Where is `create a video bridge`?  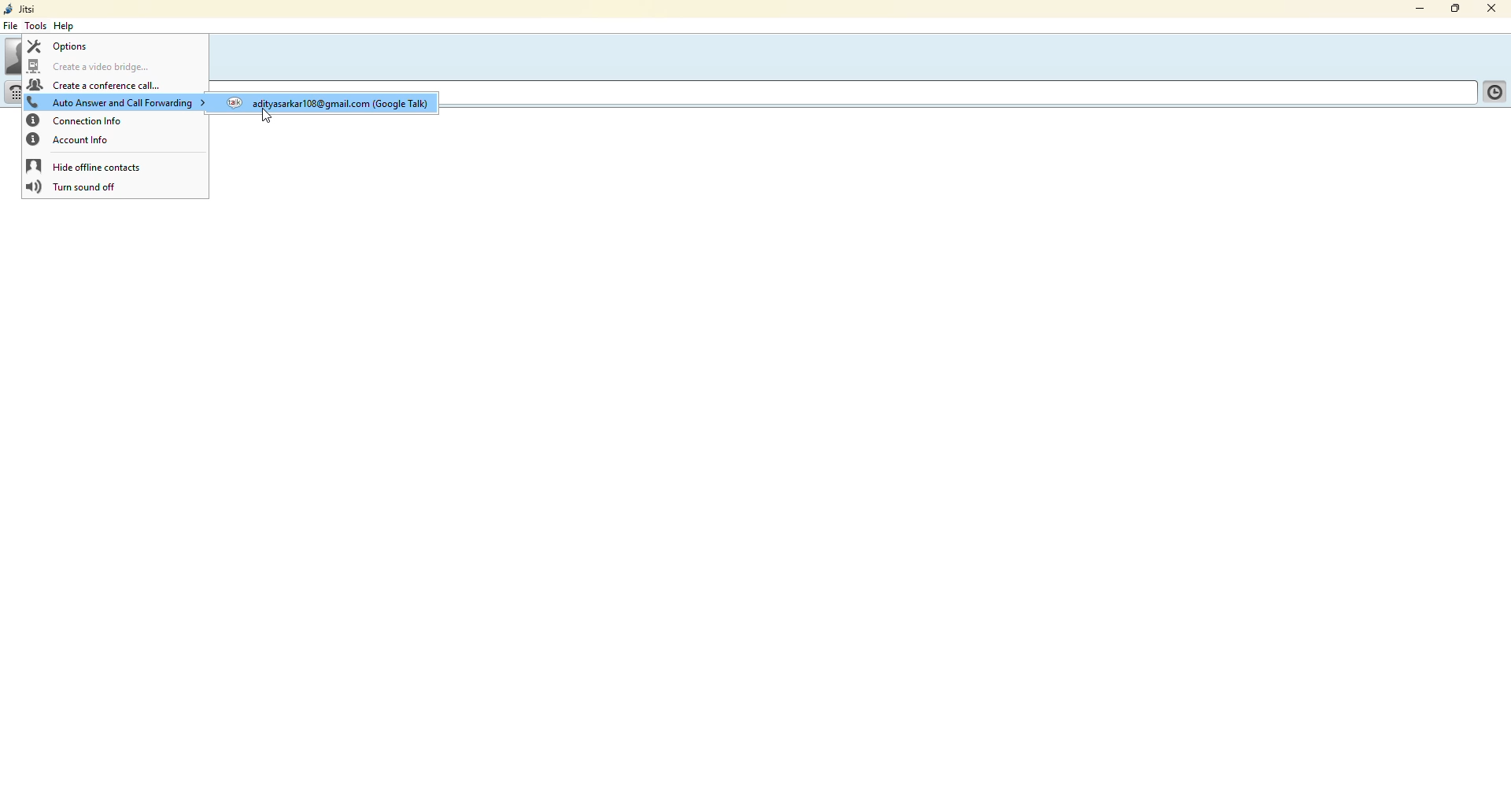
create a video bridge is located at coordinates (94, 68).